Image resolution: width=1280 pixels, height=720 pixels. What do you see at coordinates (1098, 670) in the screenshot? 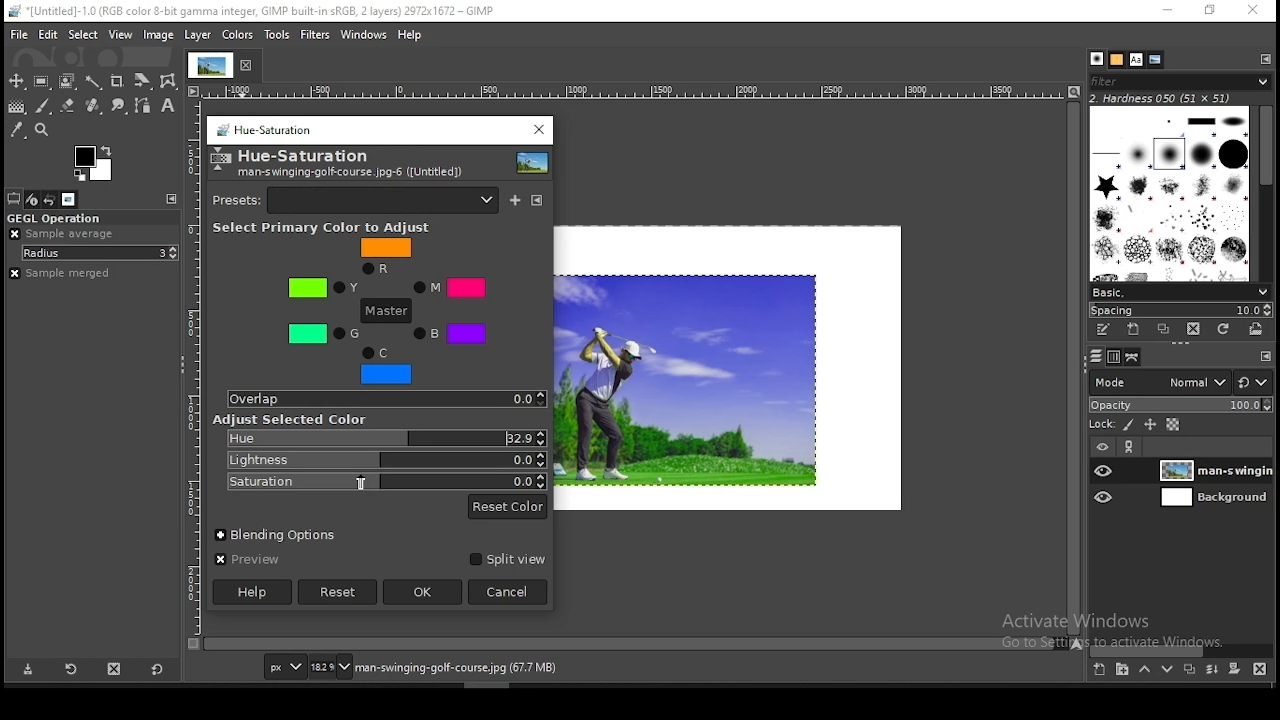
I see `new layer group` at bounding box center [1098, 670].